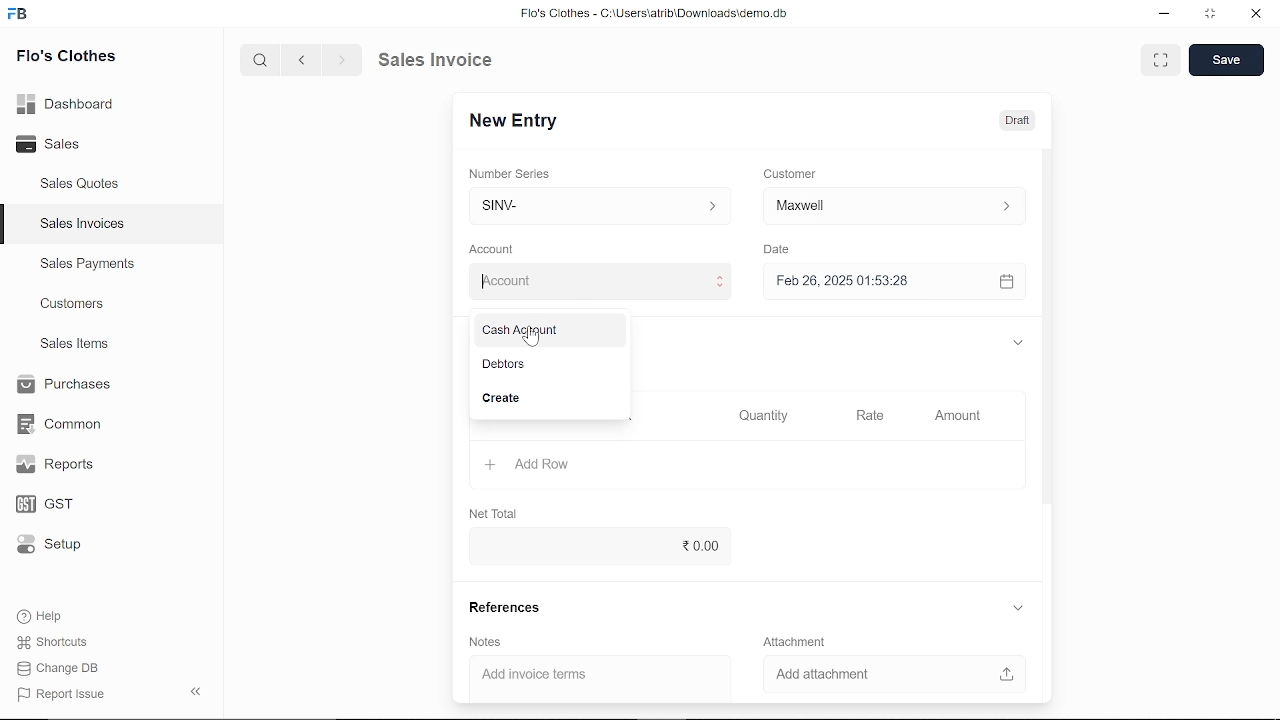 The image size is (1280, 720). I want to click on New Entry, so click(521, 121).